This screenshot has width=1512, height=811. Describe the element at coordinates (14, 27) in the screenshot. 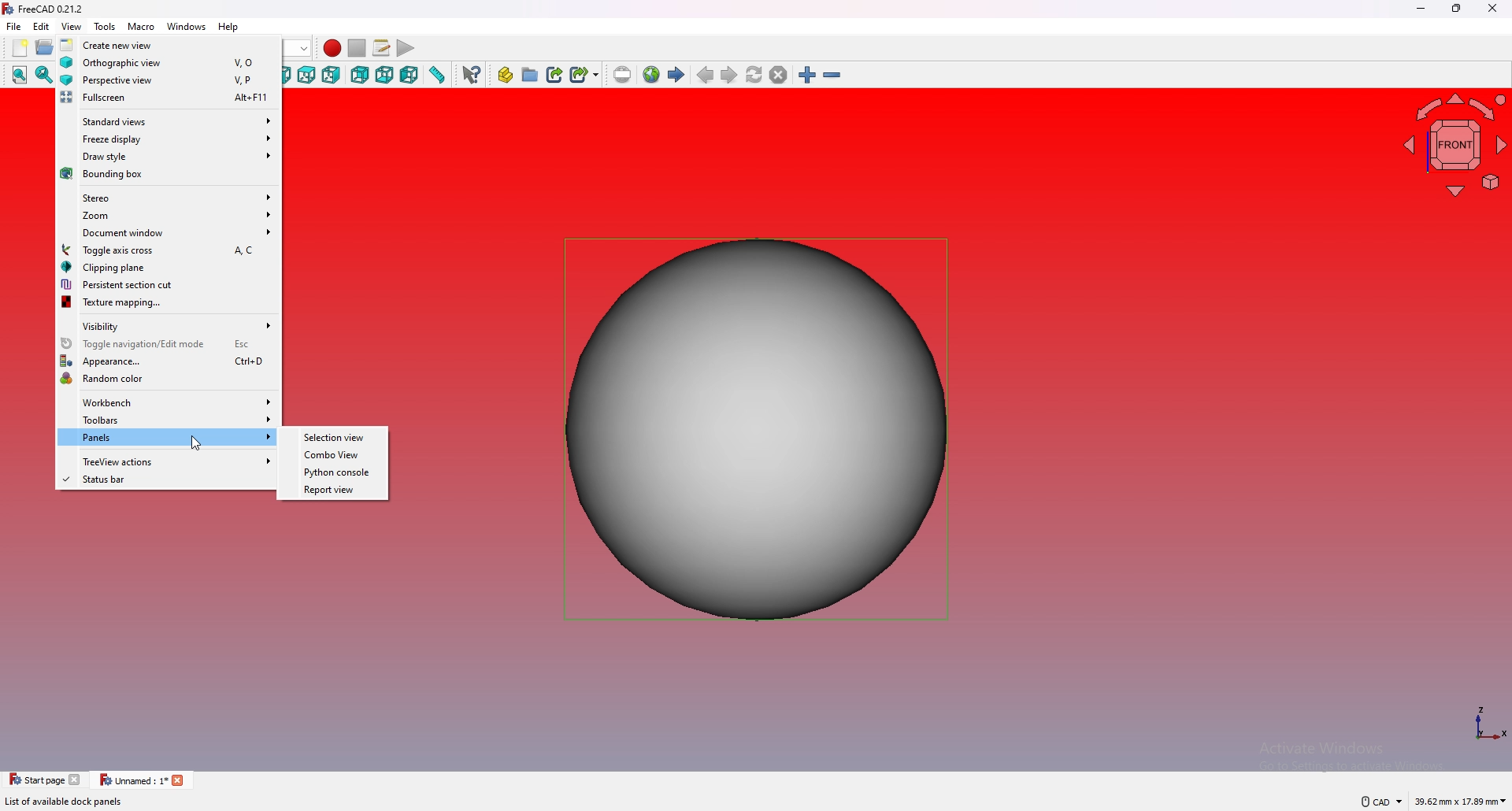

I see `file` at that location.